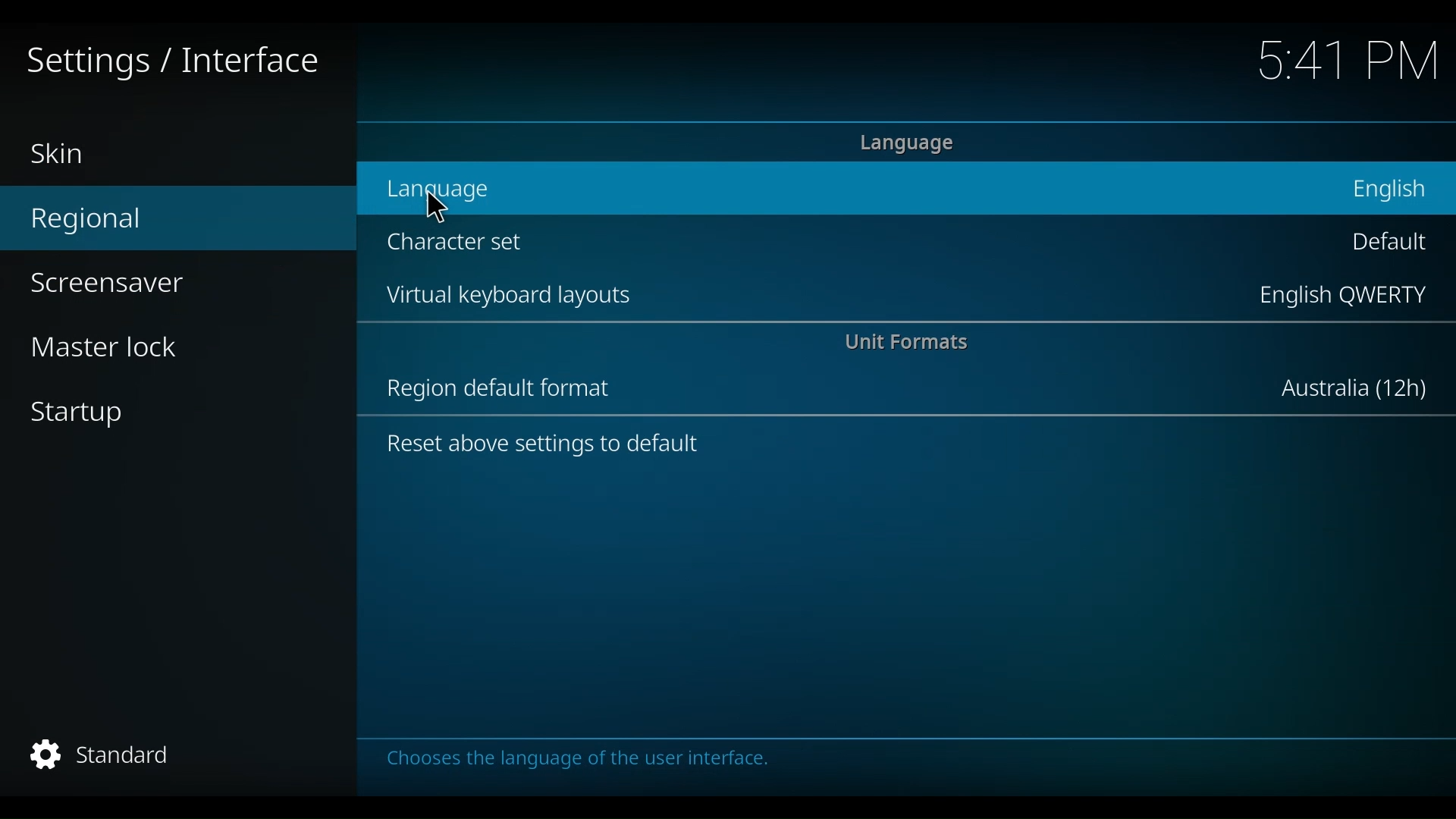 Image resolution: width=1456 pixels, height=819 pixels. I want to click on Language, so click(916, 143).